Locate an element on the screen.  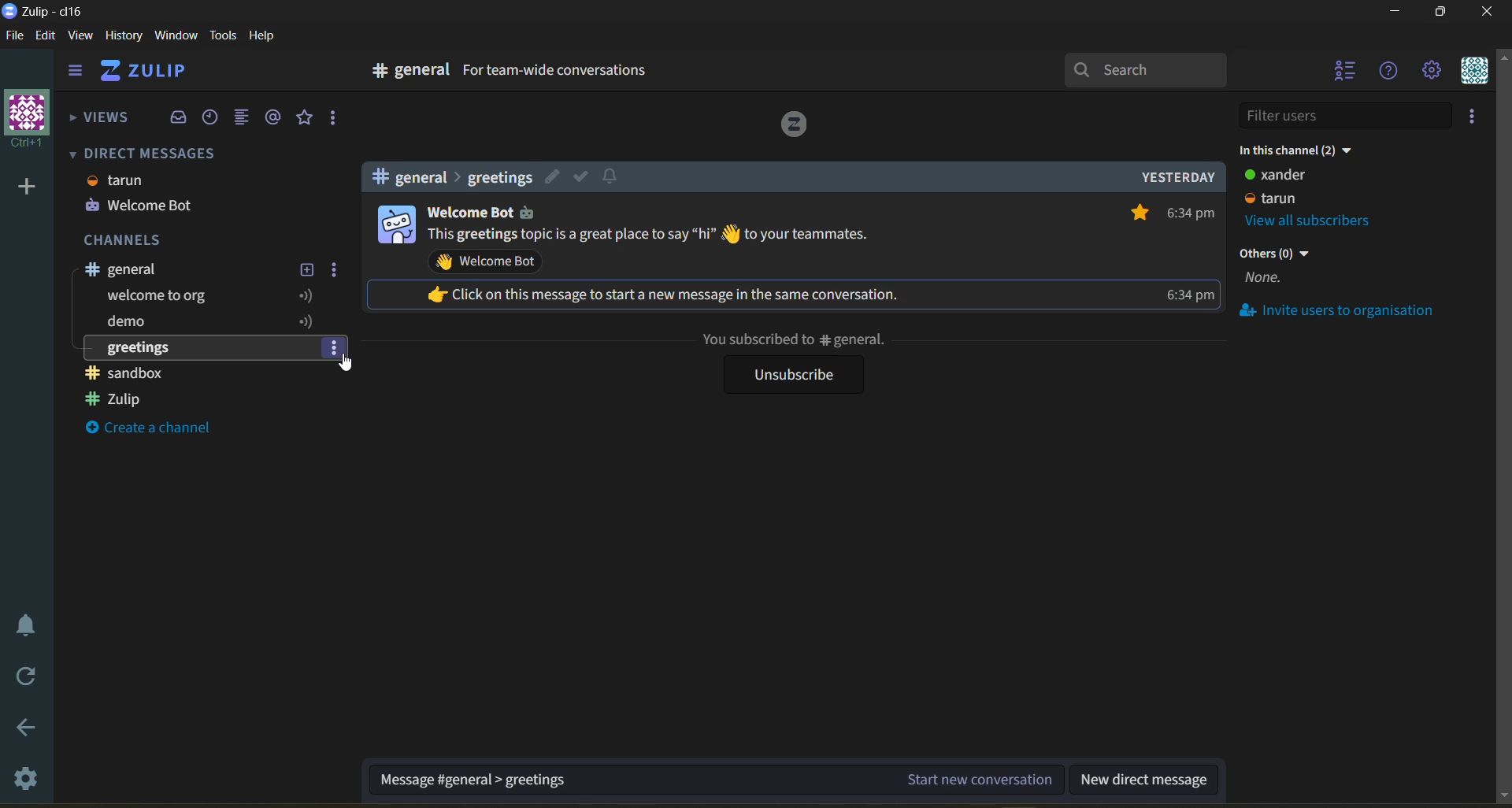
close is located at coordinates (1490, 14).